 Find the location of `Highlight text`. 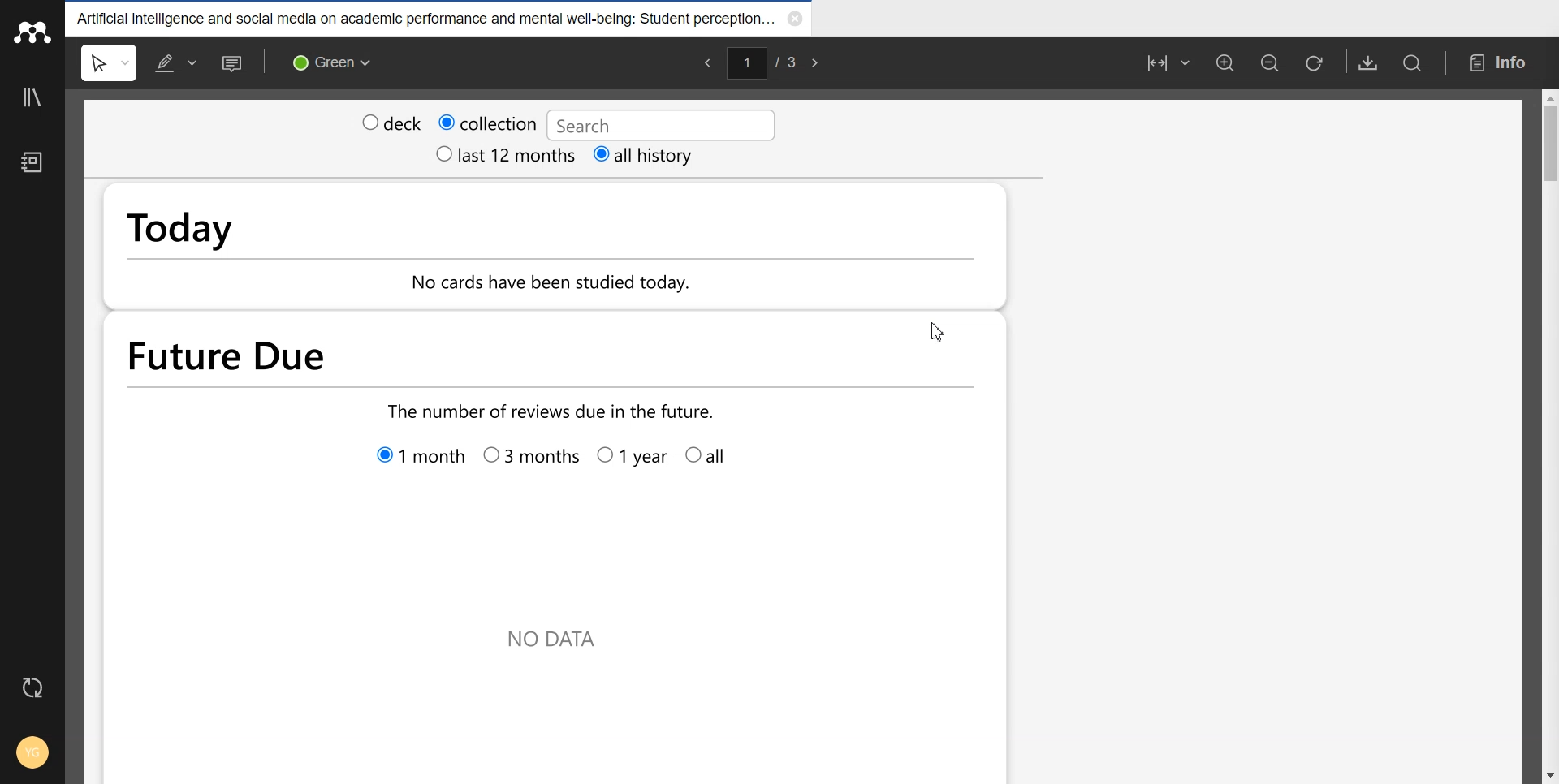

Highlight text is located at coordinates (176, 62).